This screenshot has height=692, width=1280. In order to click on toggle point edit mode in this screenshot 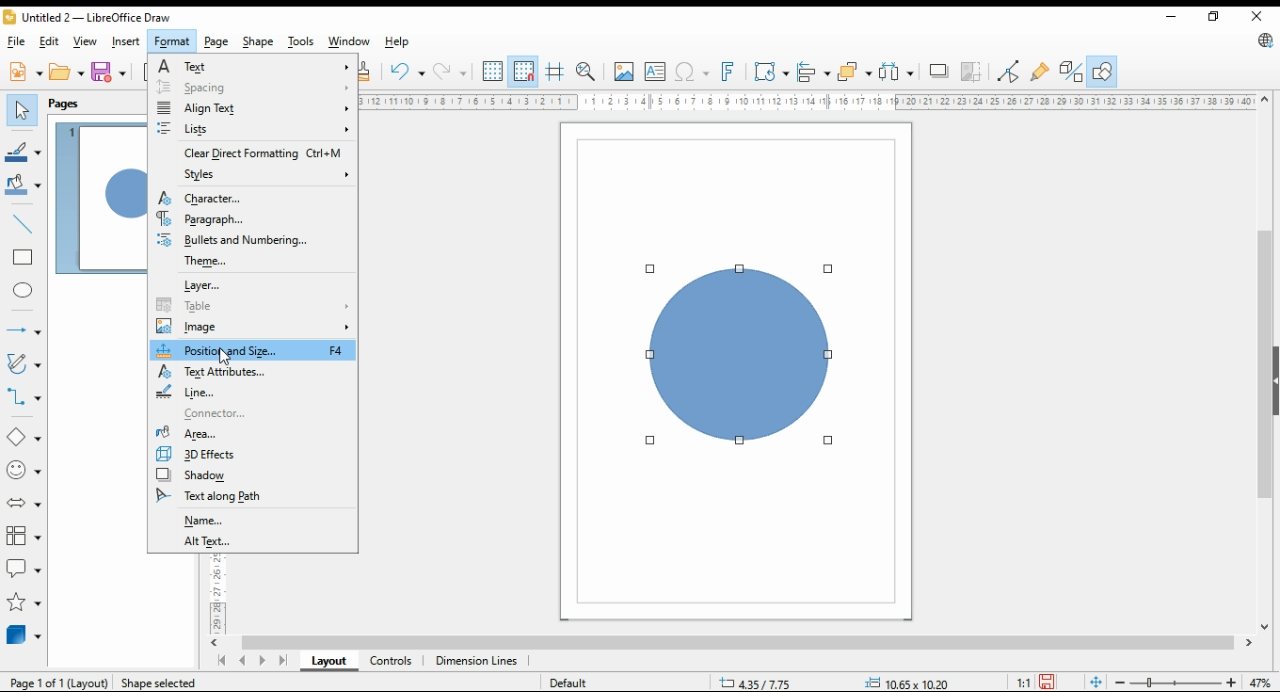, I will do `click(1007, 70)`.